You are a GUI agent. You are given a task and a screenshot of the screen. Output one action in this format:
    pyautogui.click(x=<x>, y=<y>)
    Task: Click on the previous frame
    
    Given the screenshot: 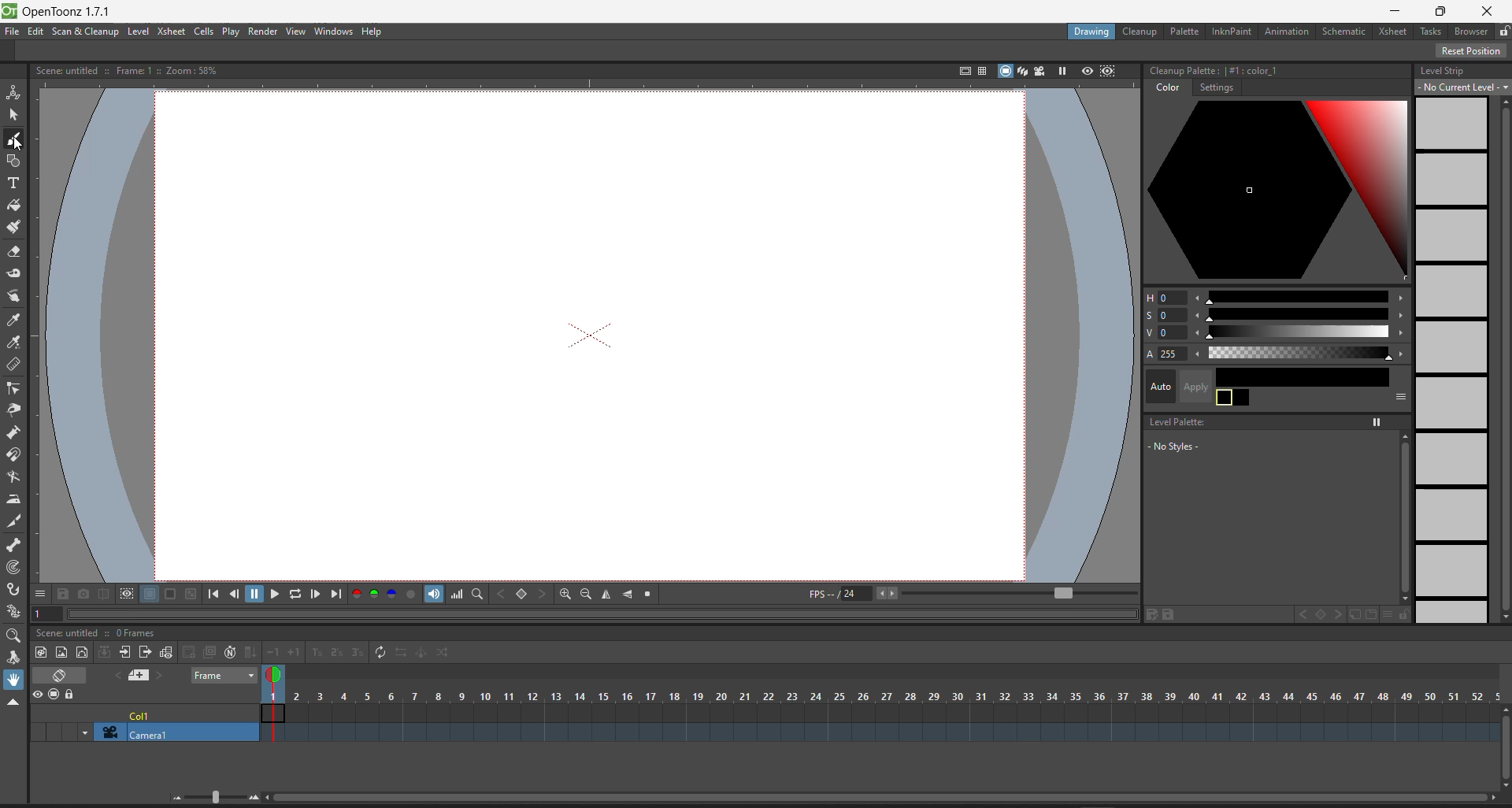 What is the action you would take?
    pyautogui.click(x=236, y=595)
    